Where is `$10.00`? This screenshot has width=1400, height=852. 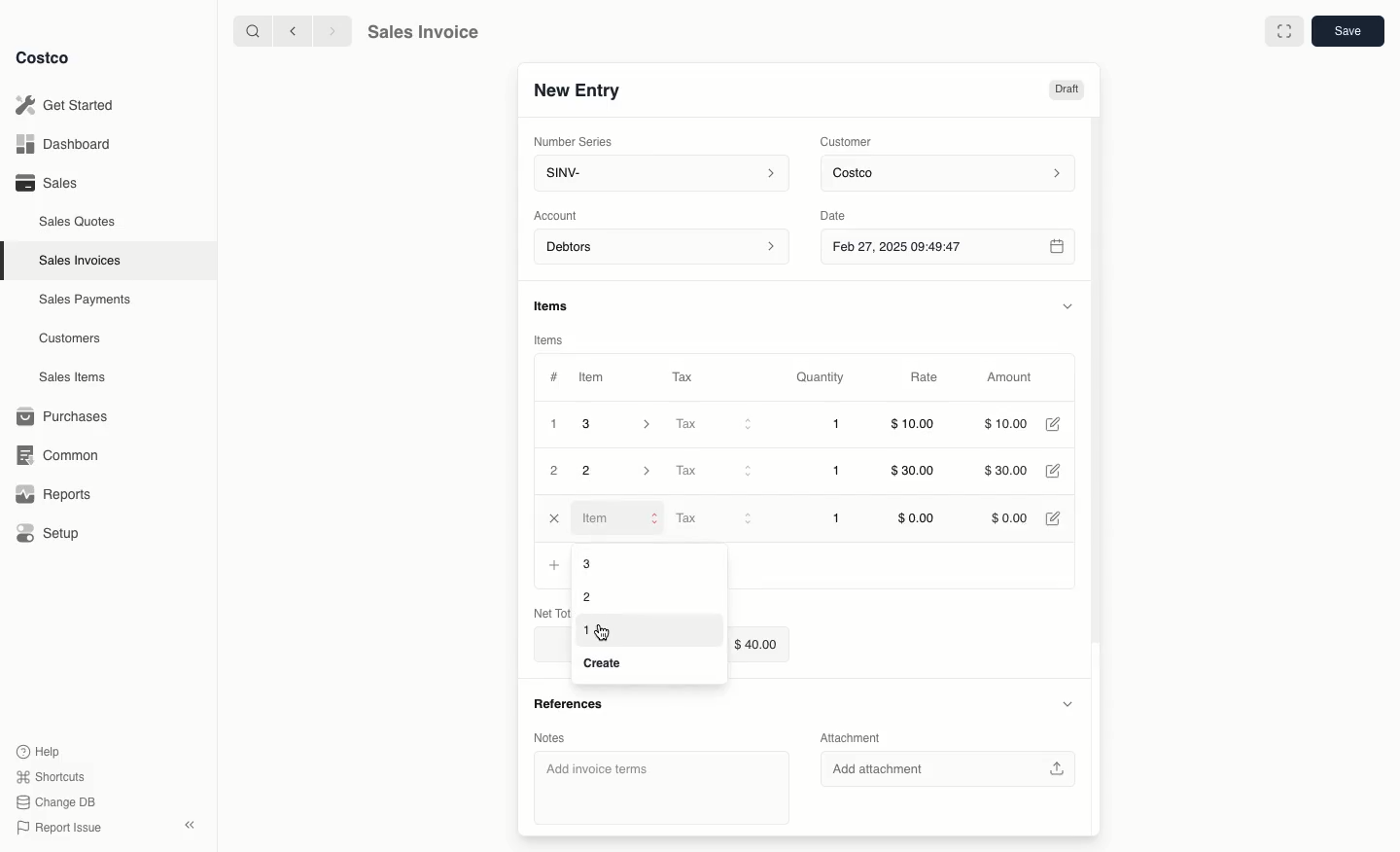
$10.00 is located at coordinates (1010, 423).